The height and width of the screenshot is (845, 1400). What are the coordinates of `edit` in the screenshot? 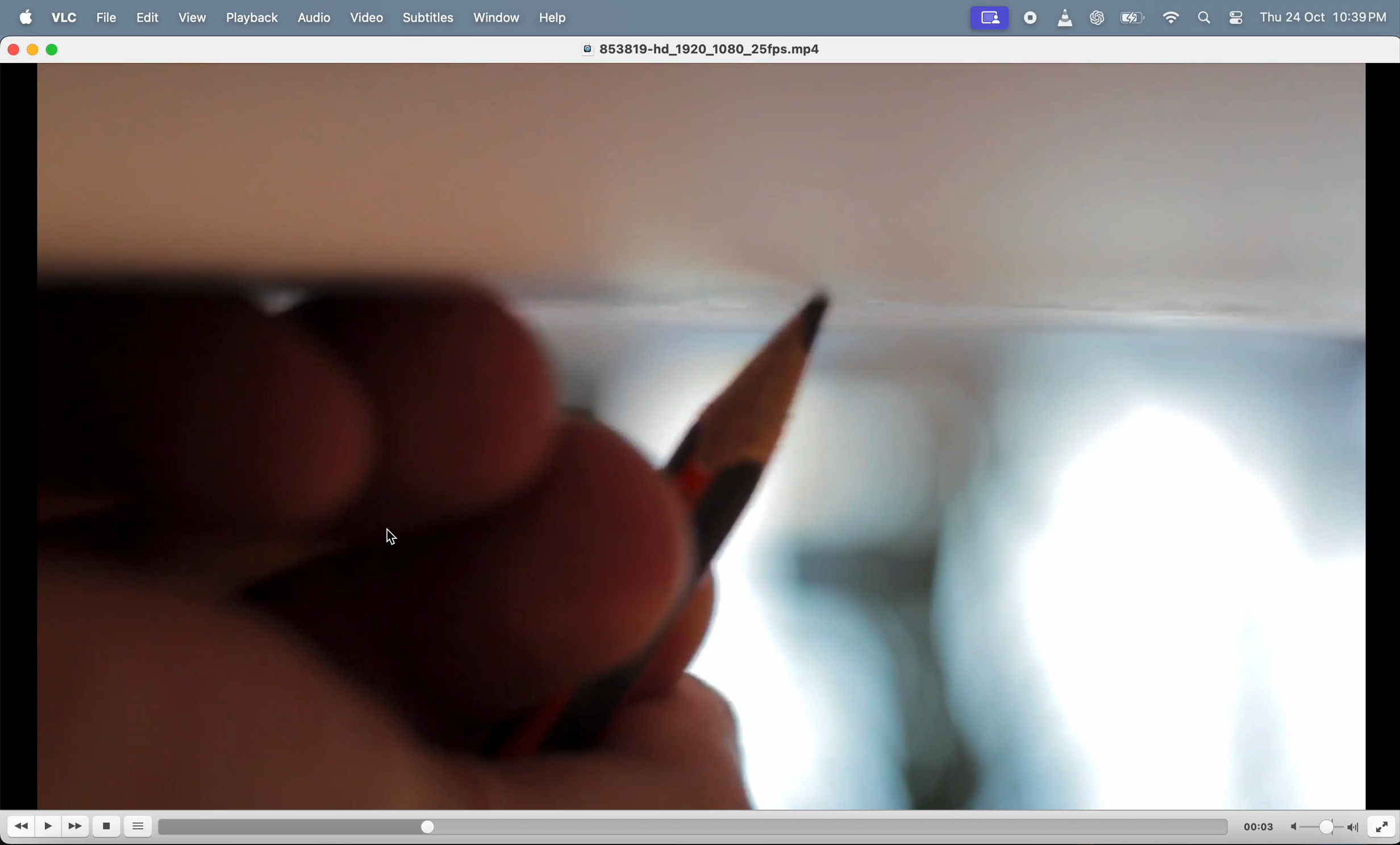 It's located at (152, 18).